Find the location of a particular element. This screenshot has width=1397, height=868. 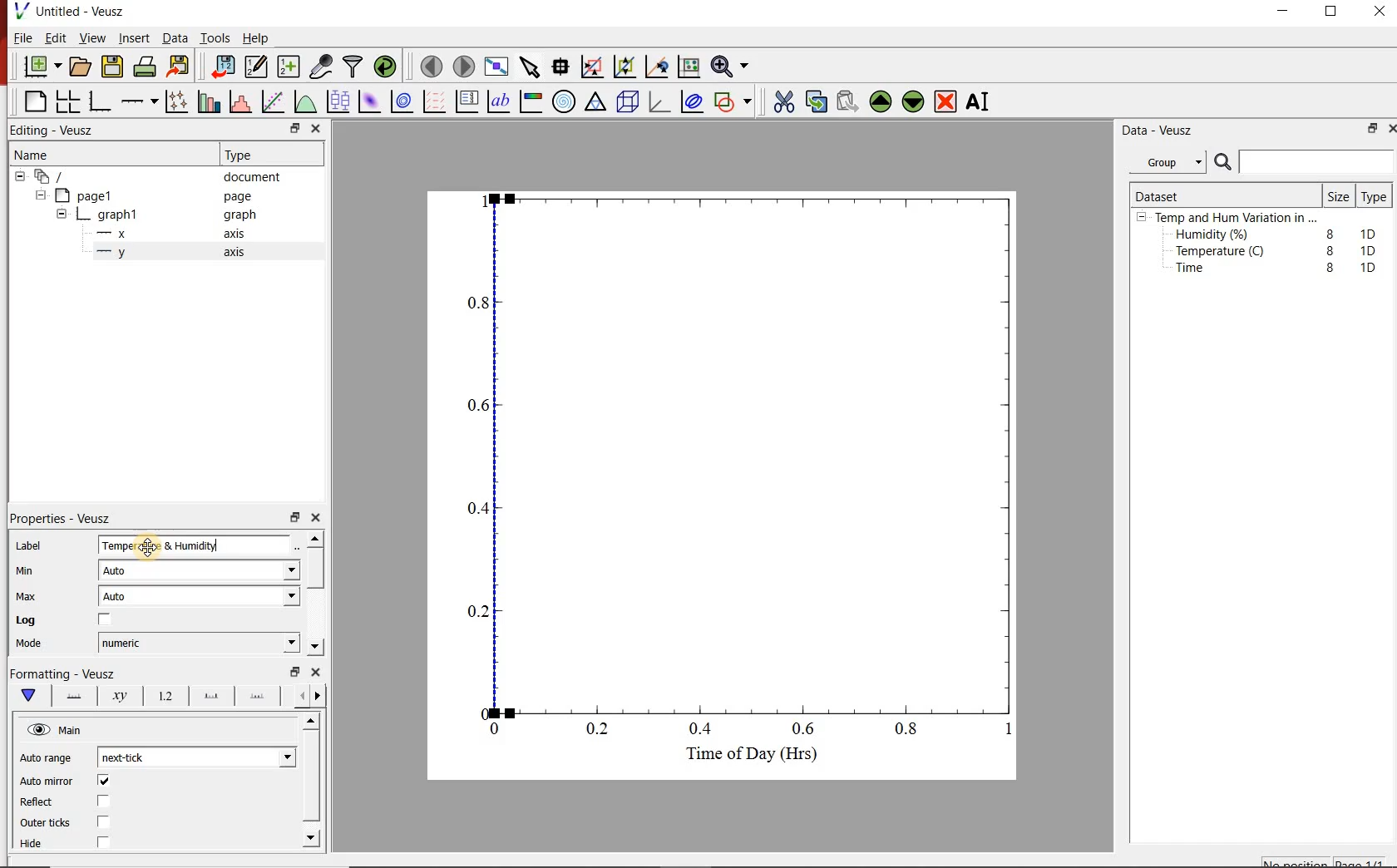

Auto range dropdown is located at coordinates (262, 755).